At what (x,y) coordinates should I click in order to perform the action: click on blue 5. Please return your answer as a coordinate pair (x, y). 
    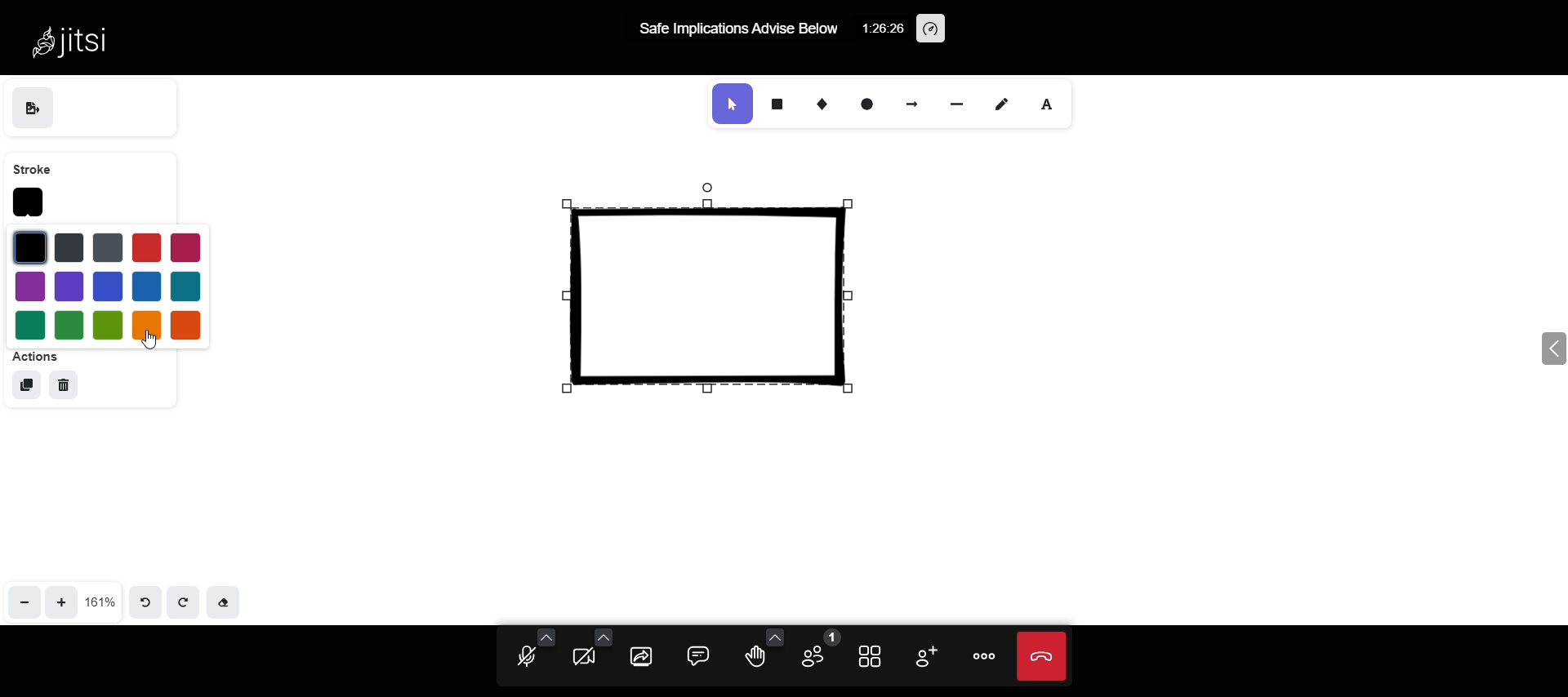
    Looking at the image, I should click on (109, 286).